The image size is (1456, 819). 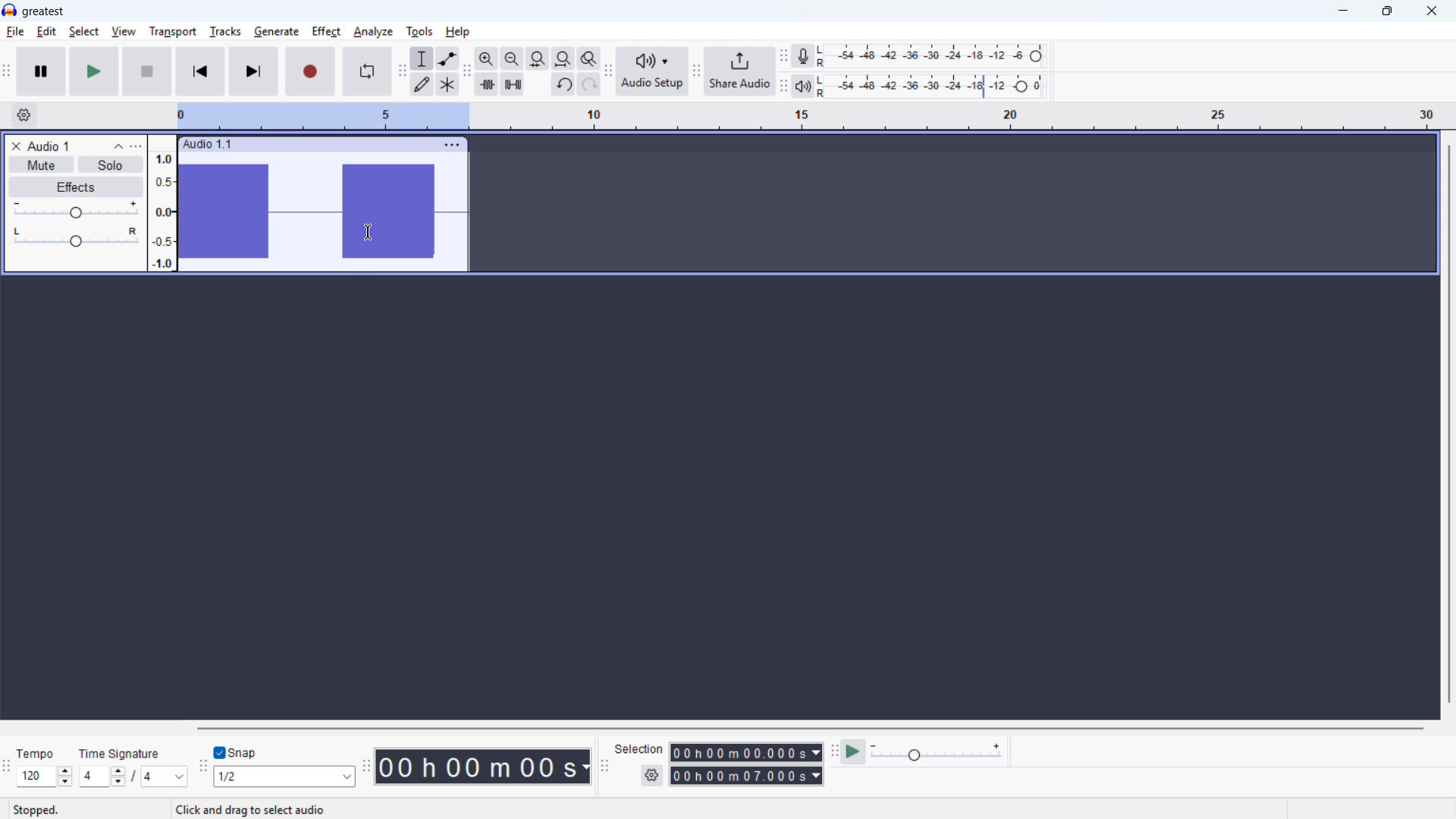 I want to click on transport, so click(x=173, y=32).